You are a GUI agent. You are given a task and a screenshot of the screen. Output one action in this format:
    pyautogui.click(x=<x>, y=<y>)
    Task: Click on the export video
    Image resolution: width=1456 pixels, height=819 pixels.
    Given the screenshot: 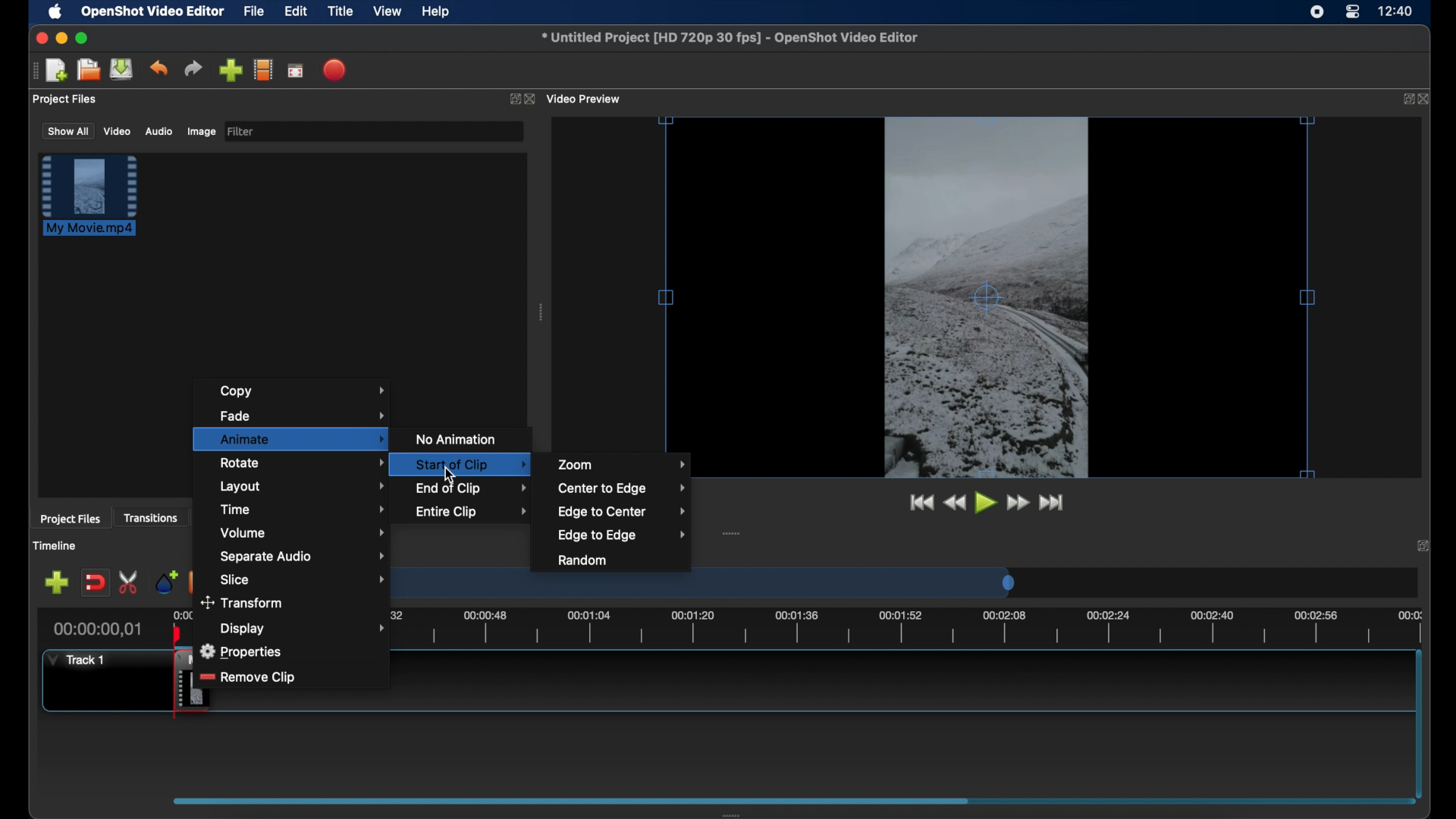 What is the action you would take?
    pyautogui.click(x=336, y=70)
    